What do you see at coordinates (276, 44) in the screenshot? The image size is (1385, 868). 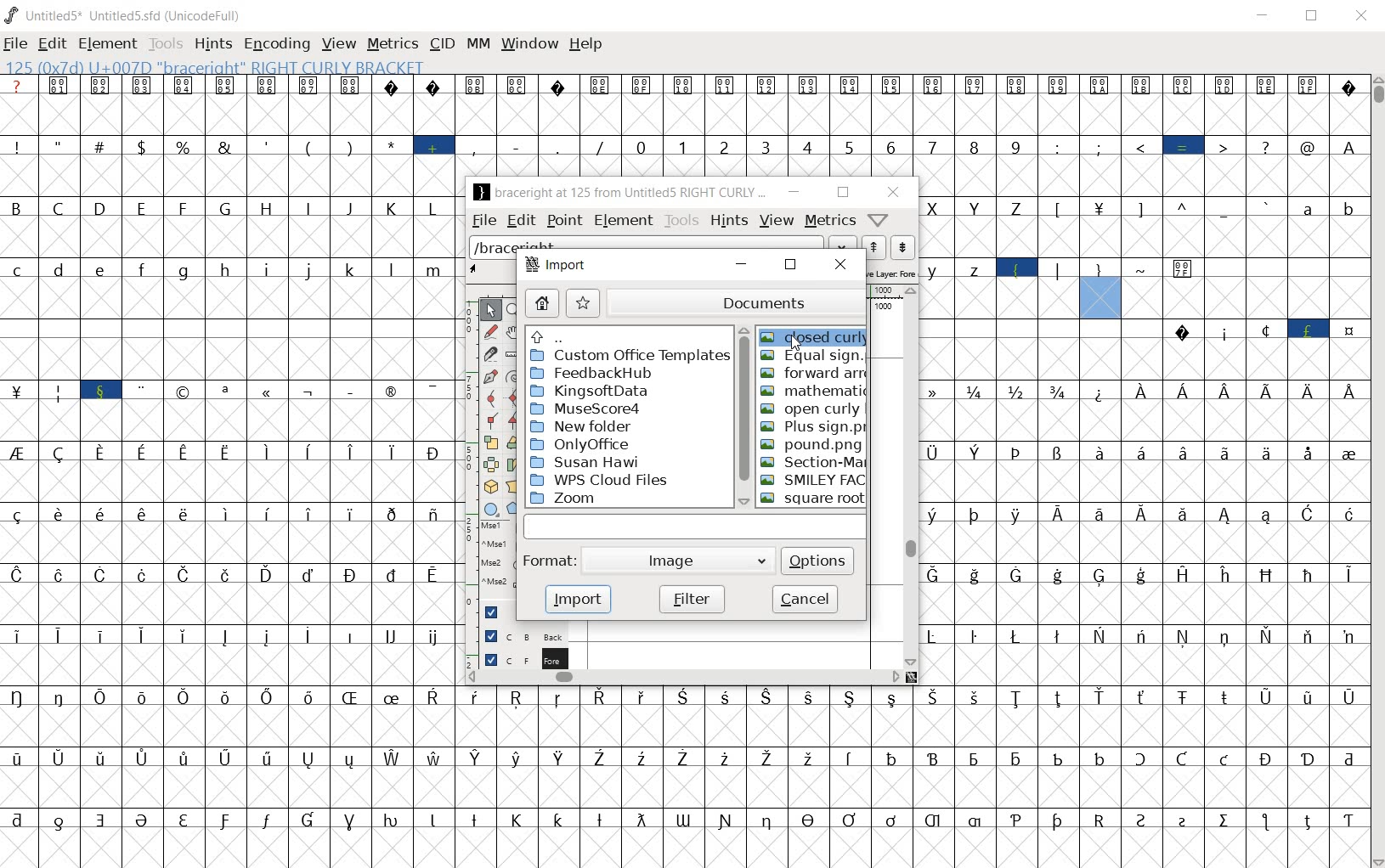 I see `ENCODING` at bounding box center [276, 44].